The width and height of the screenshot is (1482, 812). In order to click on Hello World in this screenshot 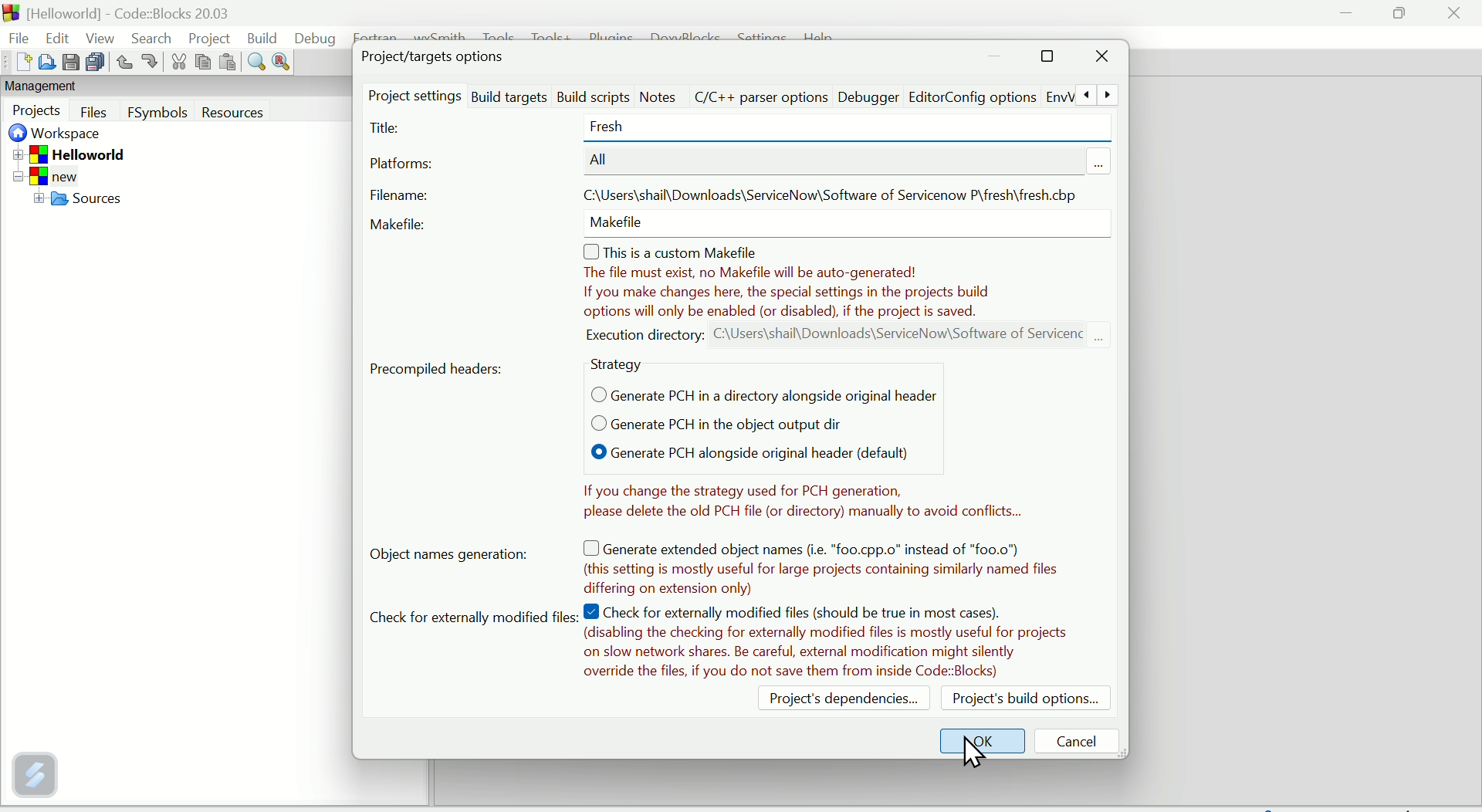, I will do `click(91, 154)`.